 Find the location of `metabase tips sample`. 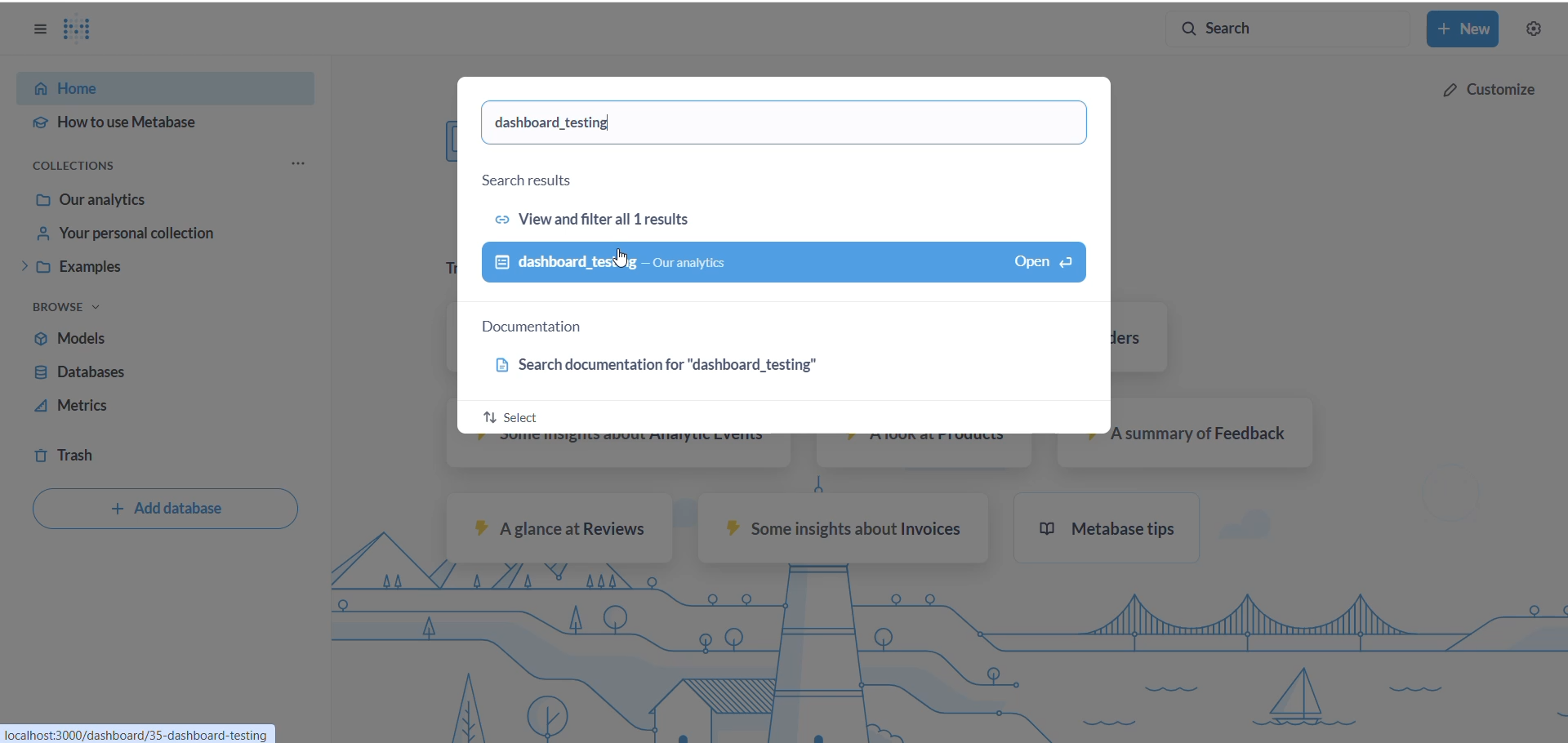

metabase tips sample is located at coordinates (1116, 531).